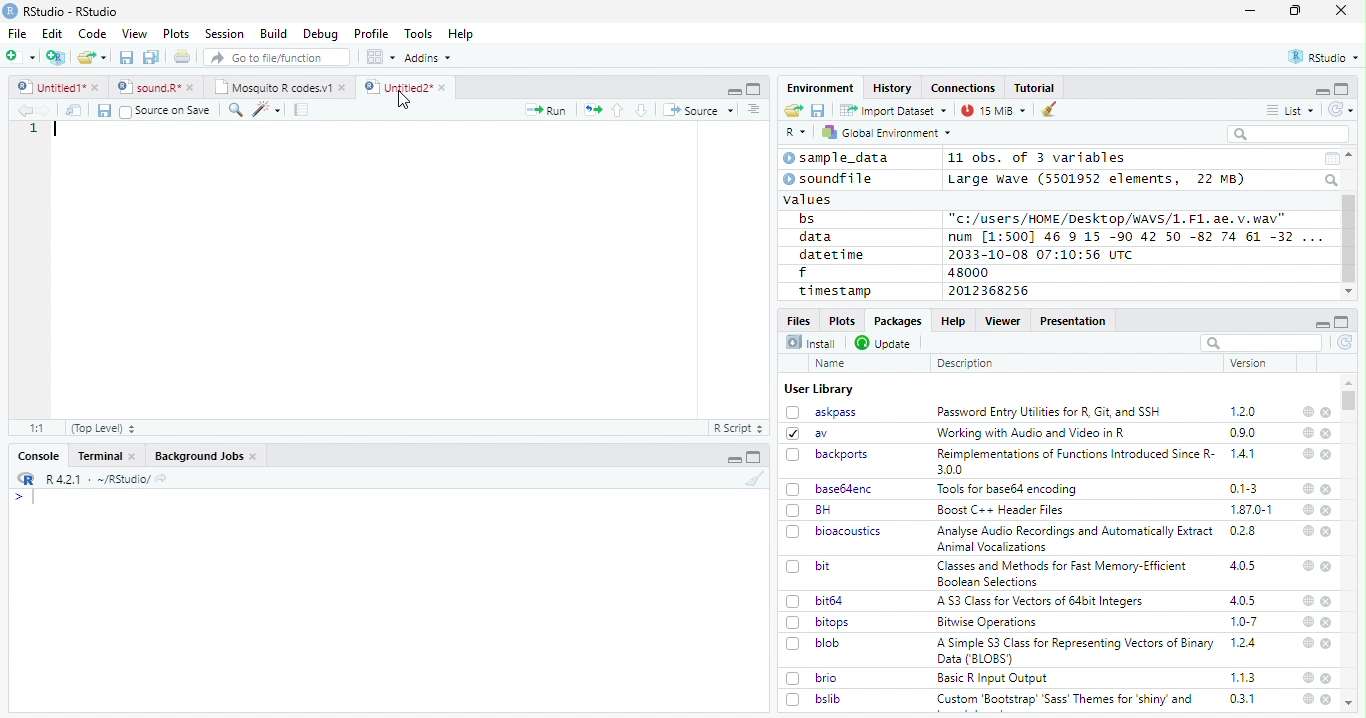 This screenshot has width=1366, height=718. What do you see at coordinates (1306, 530) in the screenshot?
I see `help` at bounding box center [1306, 530].